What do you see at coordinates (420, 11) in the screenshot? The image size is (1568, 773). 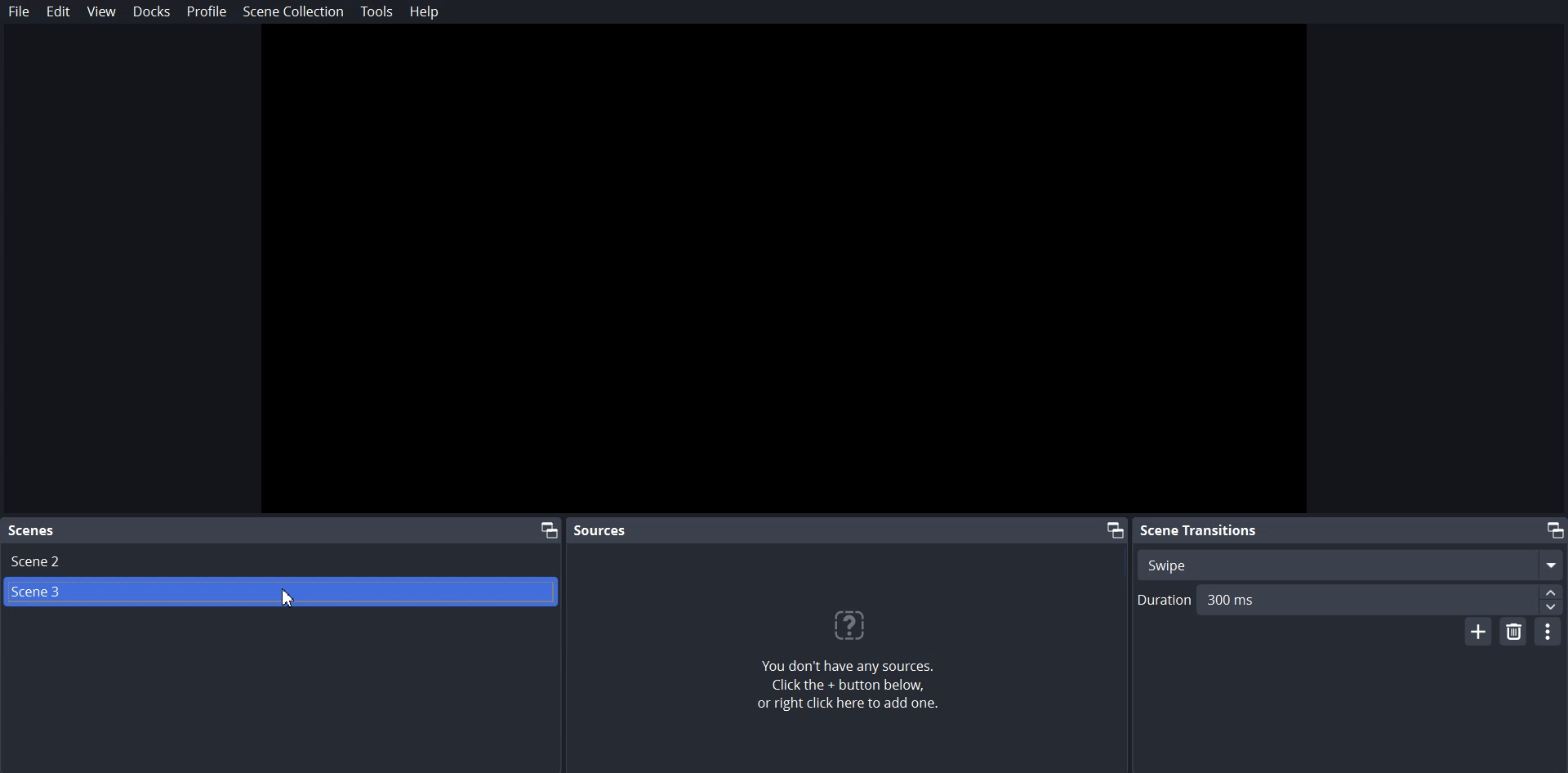 I see `Help` at bounding box center [420, 11].